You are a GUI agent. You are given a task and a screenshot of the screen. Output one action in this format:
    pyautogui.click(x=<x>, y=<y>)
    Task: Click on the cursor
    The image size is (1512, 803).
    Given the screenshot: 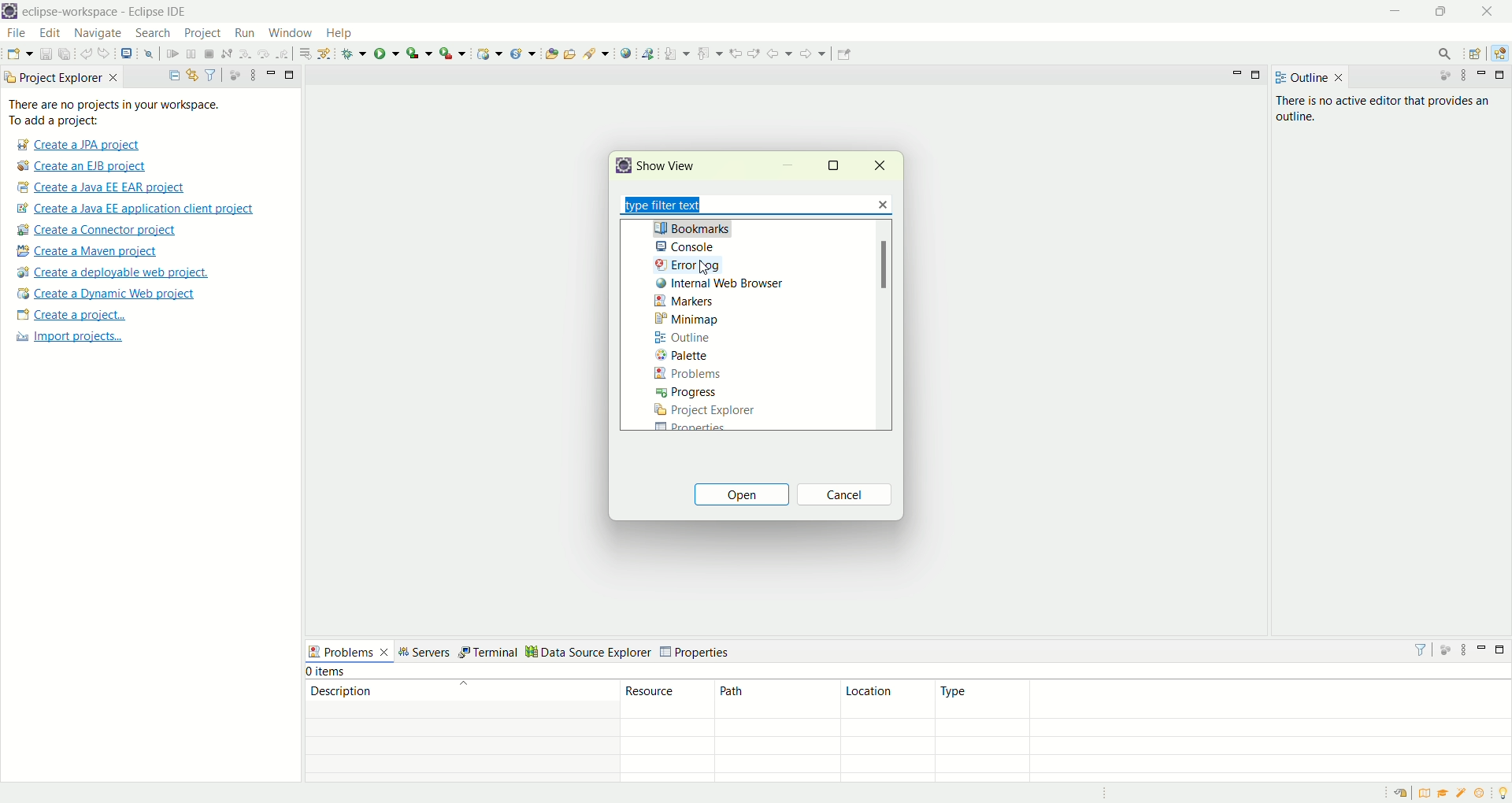 What is the action you would take?
    pyautogui.click(x=701, y=268)
    